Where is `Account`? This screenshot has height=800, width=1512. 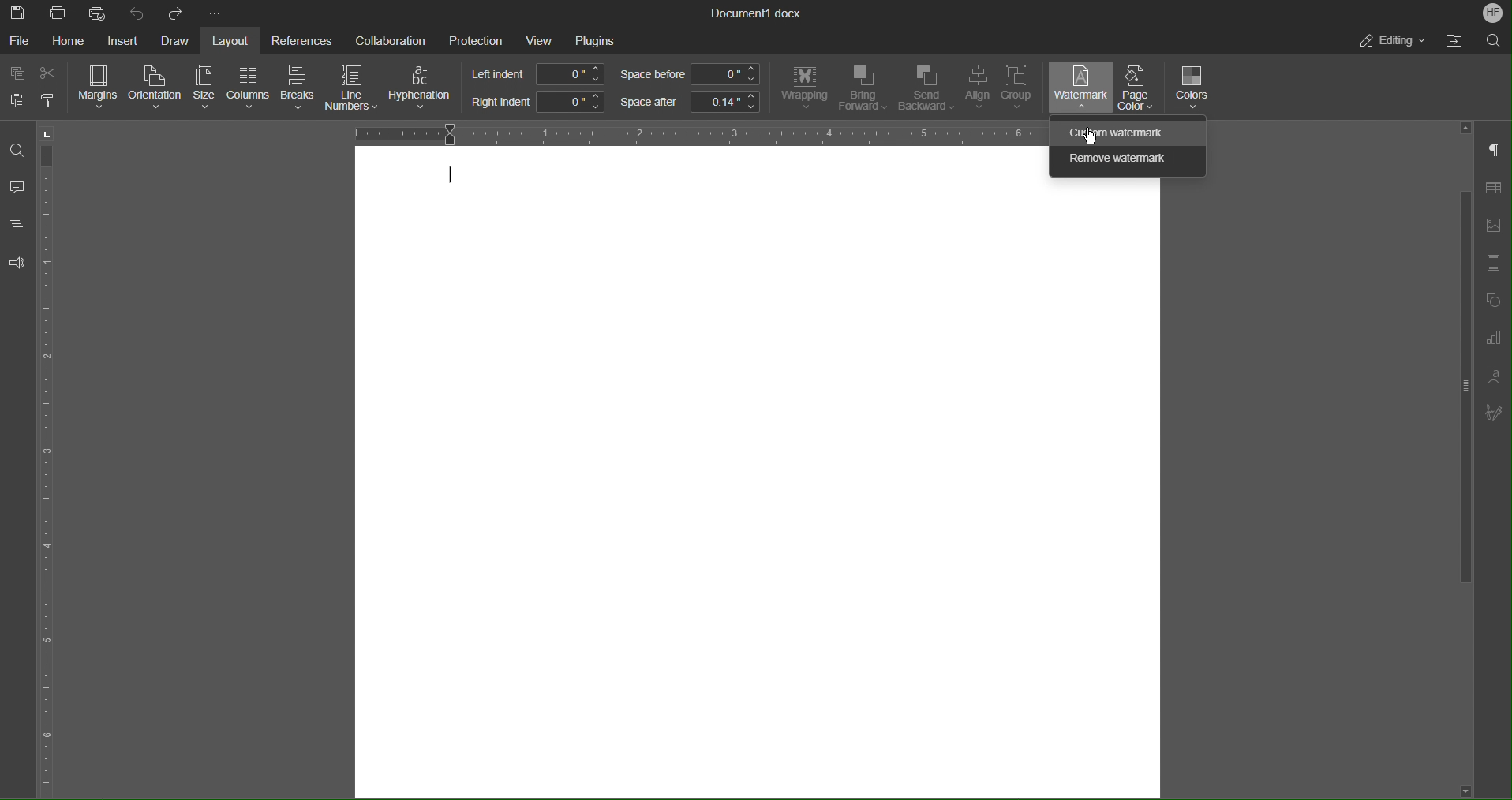
Account is located at coordinates (1493, 13).